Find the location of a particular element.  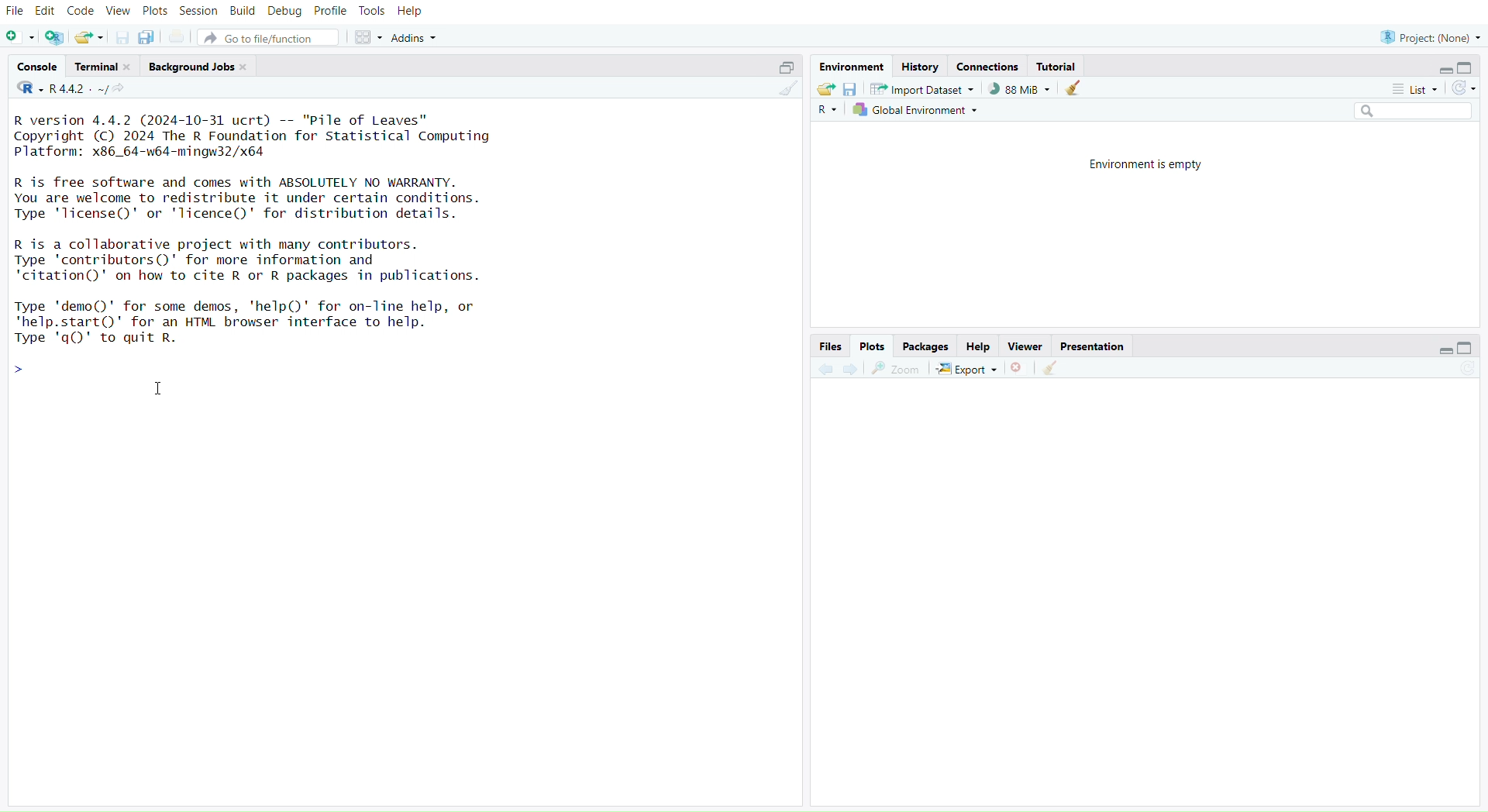

open an existing file is located at coordinates (88, 39).